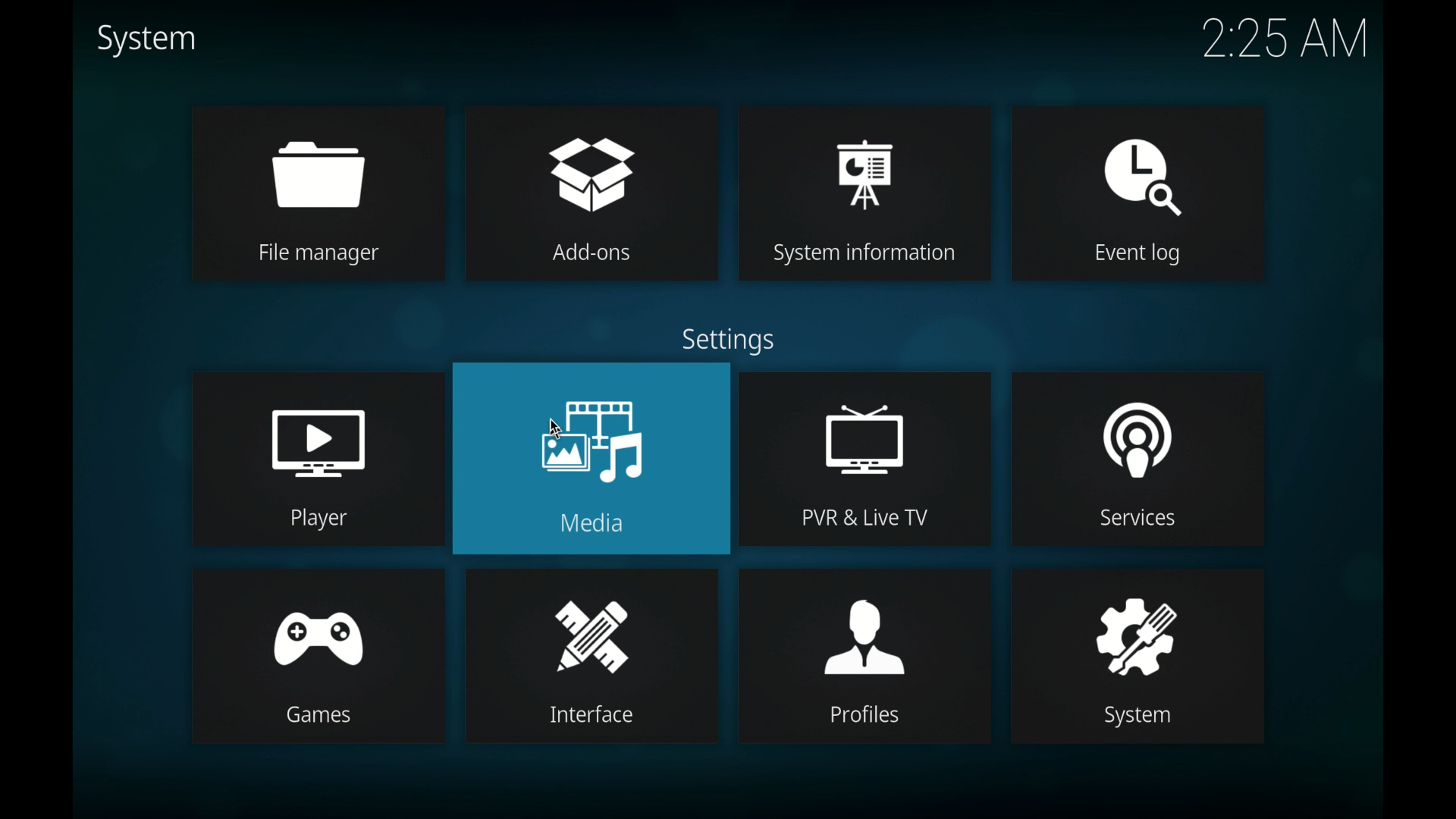 The image size is (1456, 819). I want to click on syste, so click(147, 40).